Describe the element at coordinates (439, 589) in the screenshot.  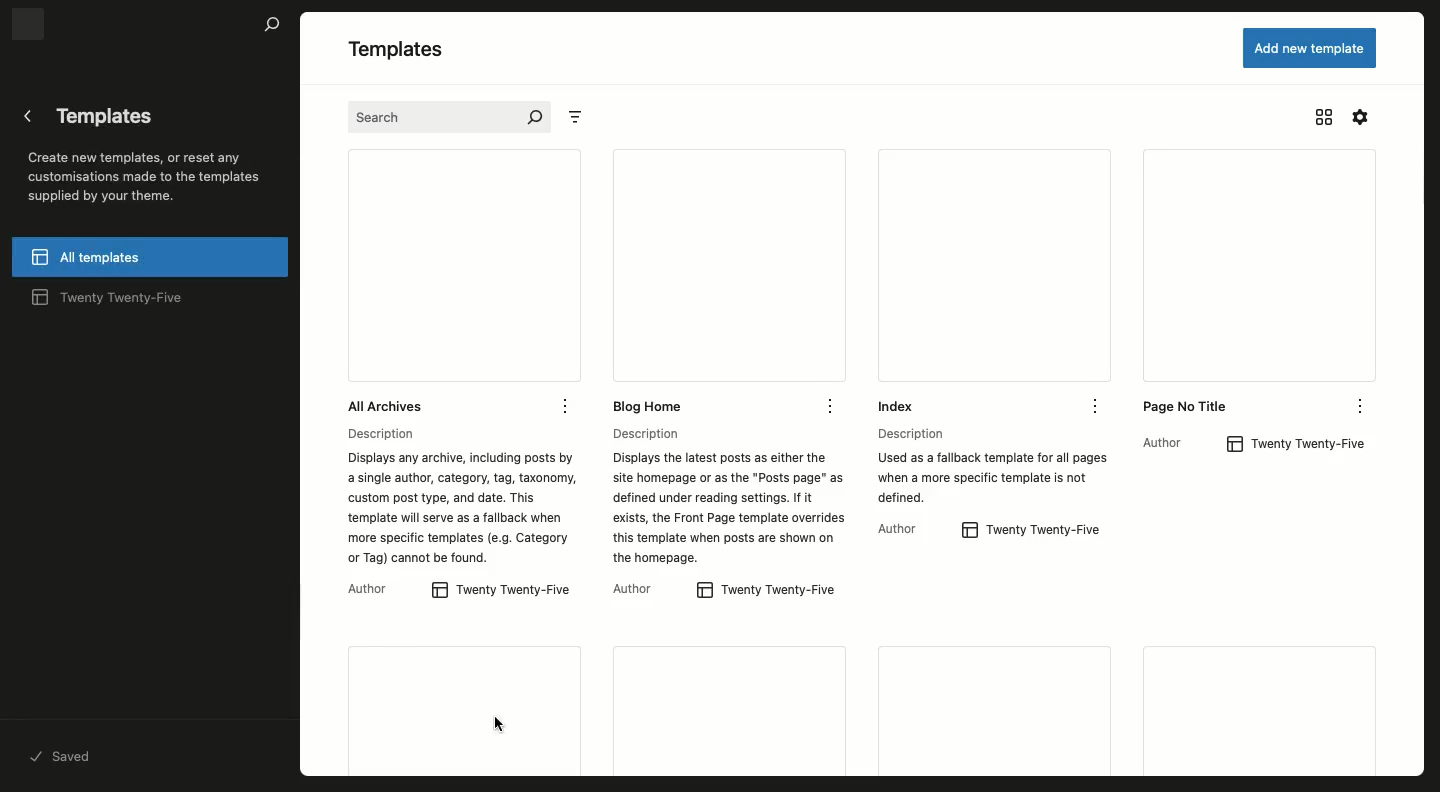
I see `Button` at that location.